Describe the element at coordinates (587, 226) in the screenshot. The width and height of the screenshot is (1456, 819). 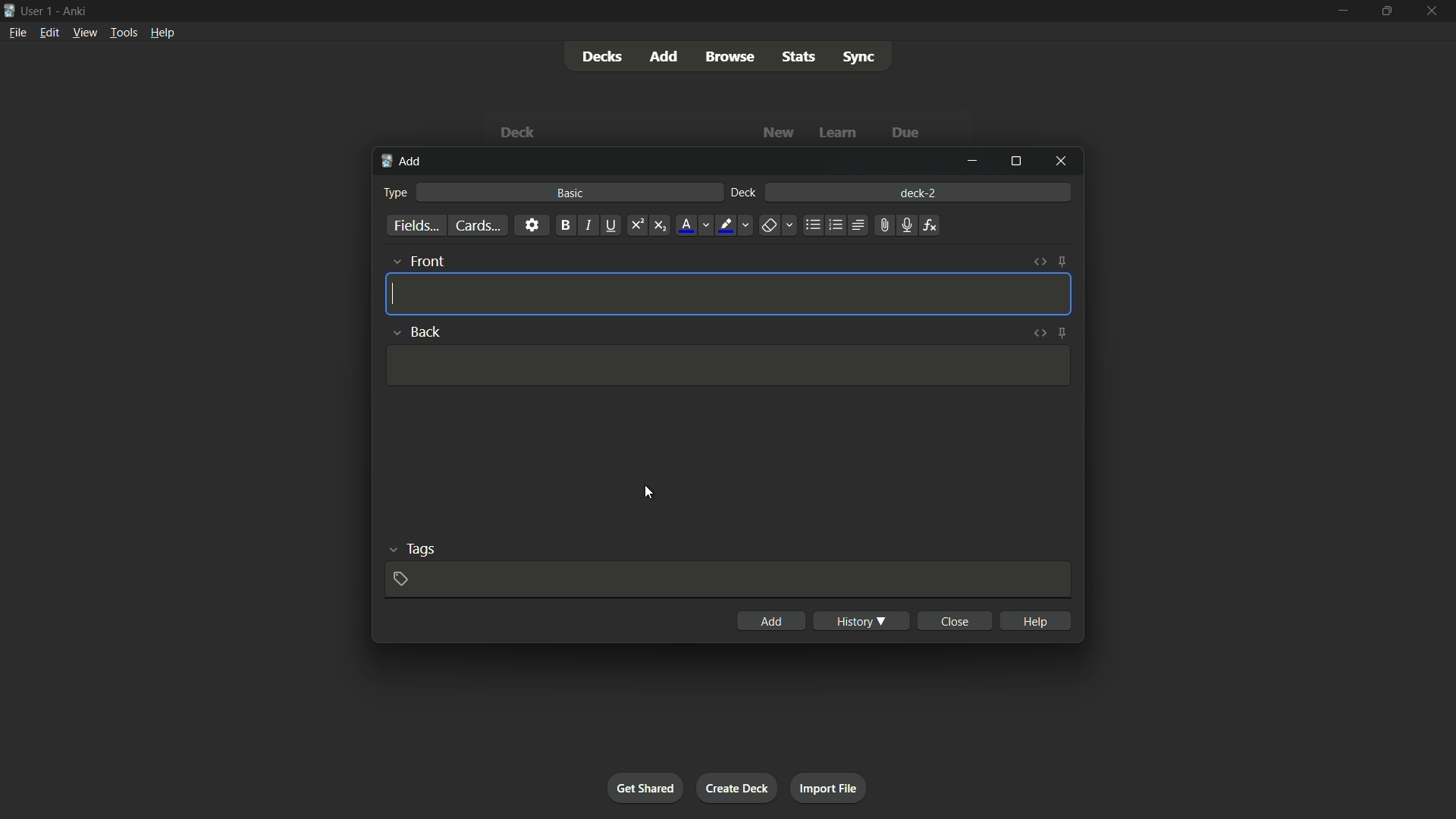
I see `italic` at that location.